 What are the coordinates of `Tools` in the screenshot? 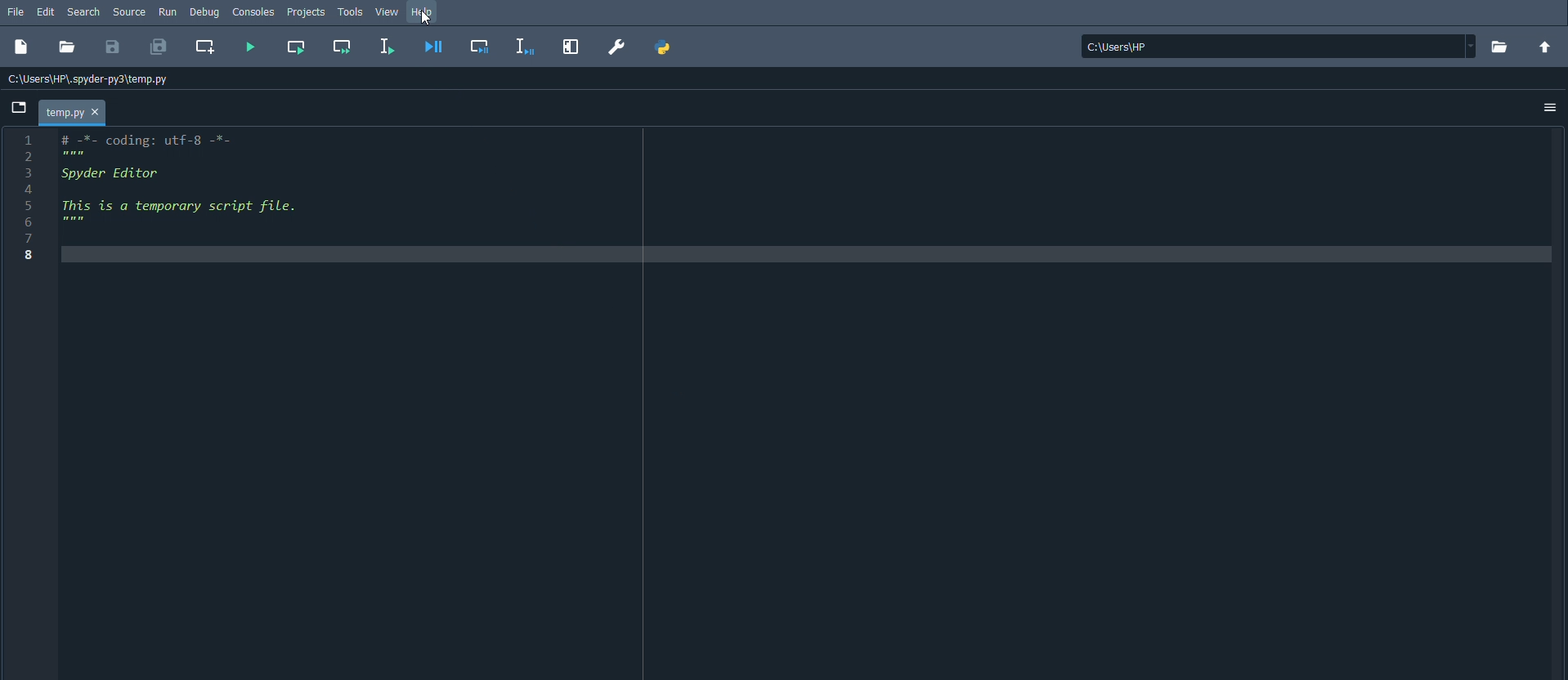 It's located at (349, 11).